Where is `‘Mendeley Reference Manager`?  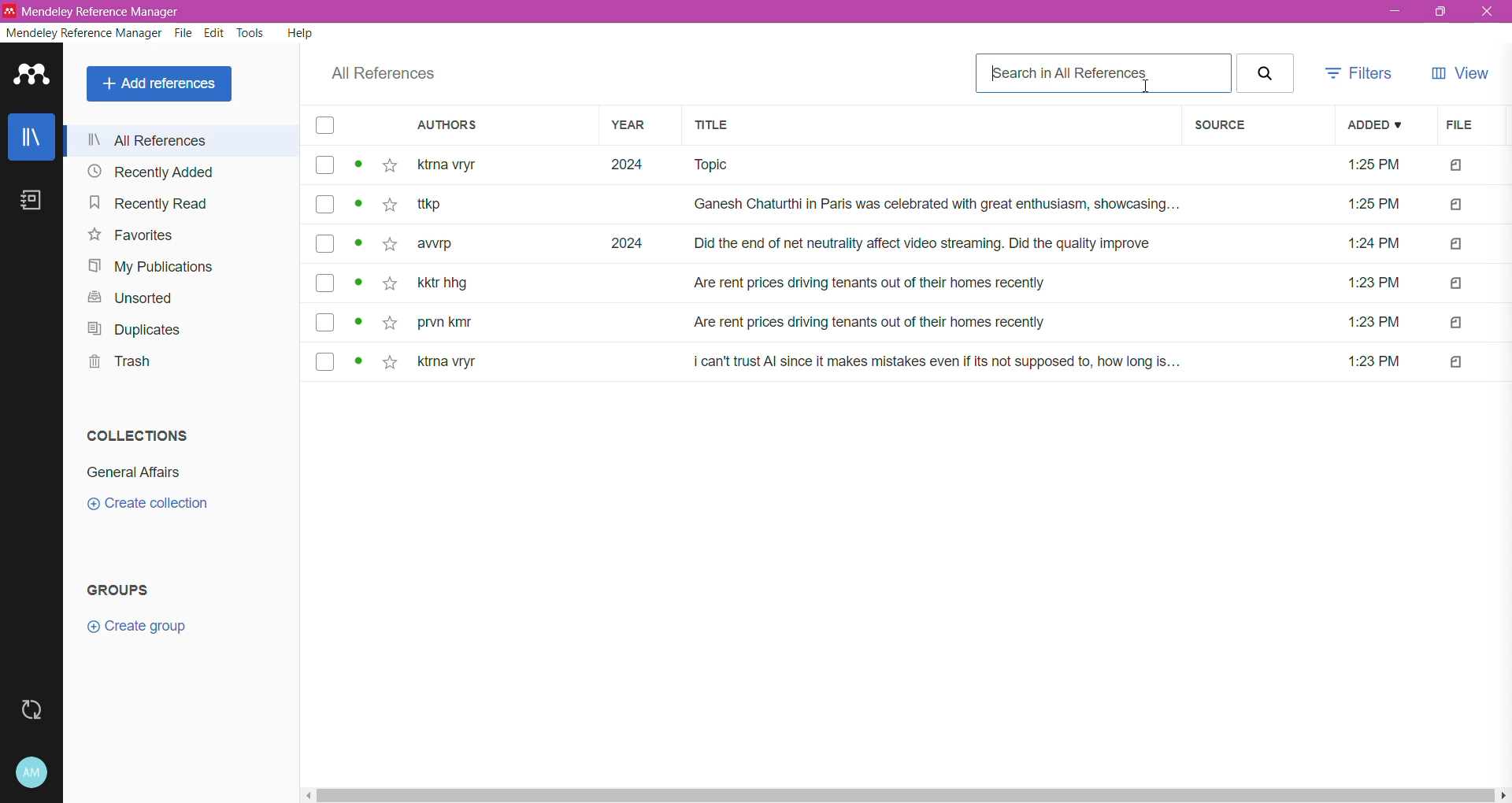 ‘Mendeley Reference Manager is located at coordinates (96, 9).